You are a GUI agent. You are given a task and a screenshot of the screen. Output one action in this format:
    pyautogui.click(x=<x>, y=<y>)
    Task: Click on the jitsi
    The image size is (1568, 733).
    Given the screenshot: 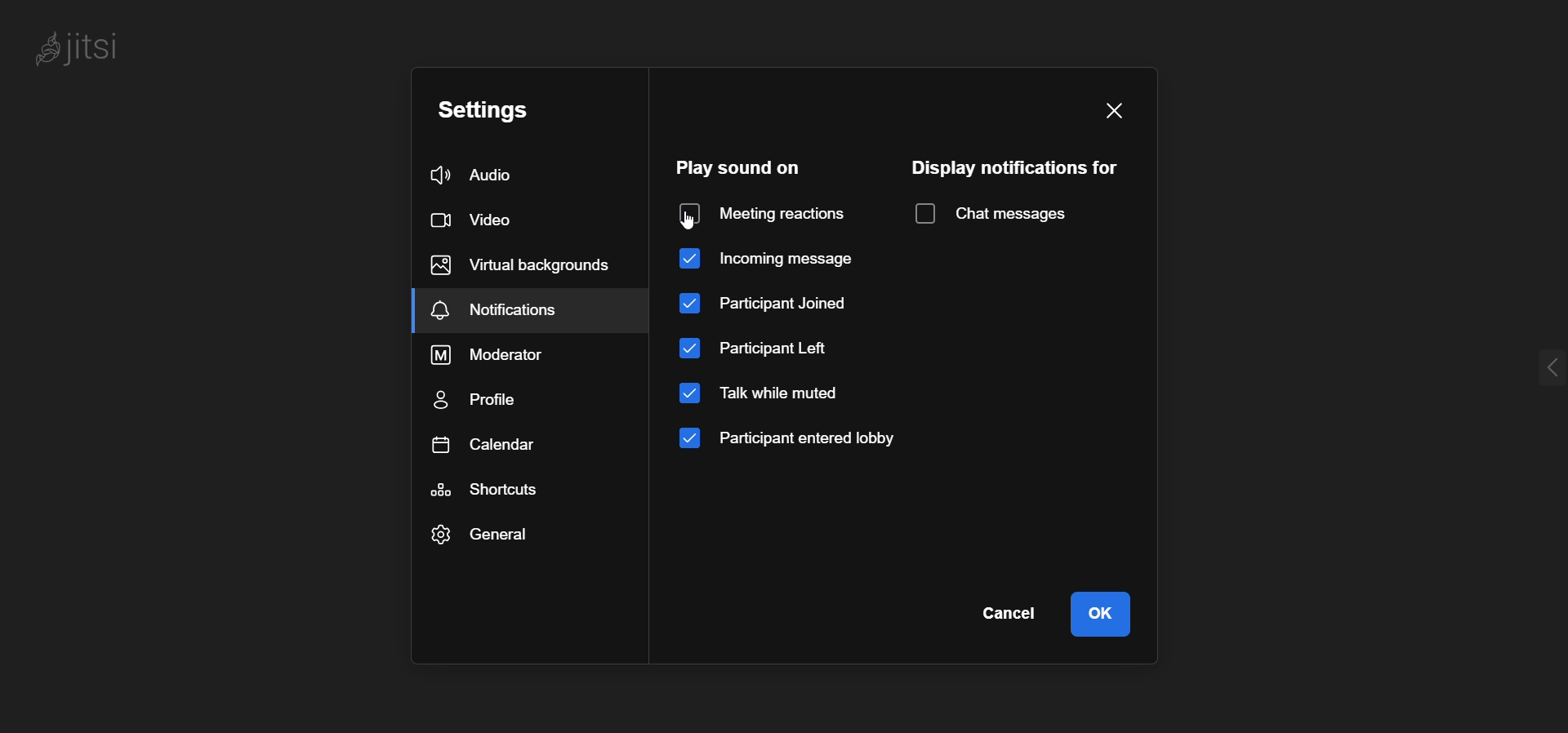 What is the action you would take?
    pyautogui.click(x=89, y=47)
    